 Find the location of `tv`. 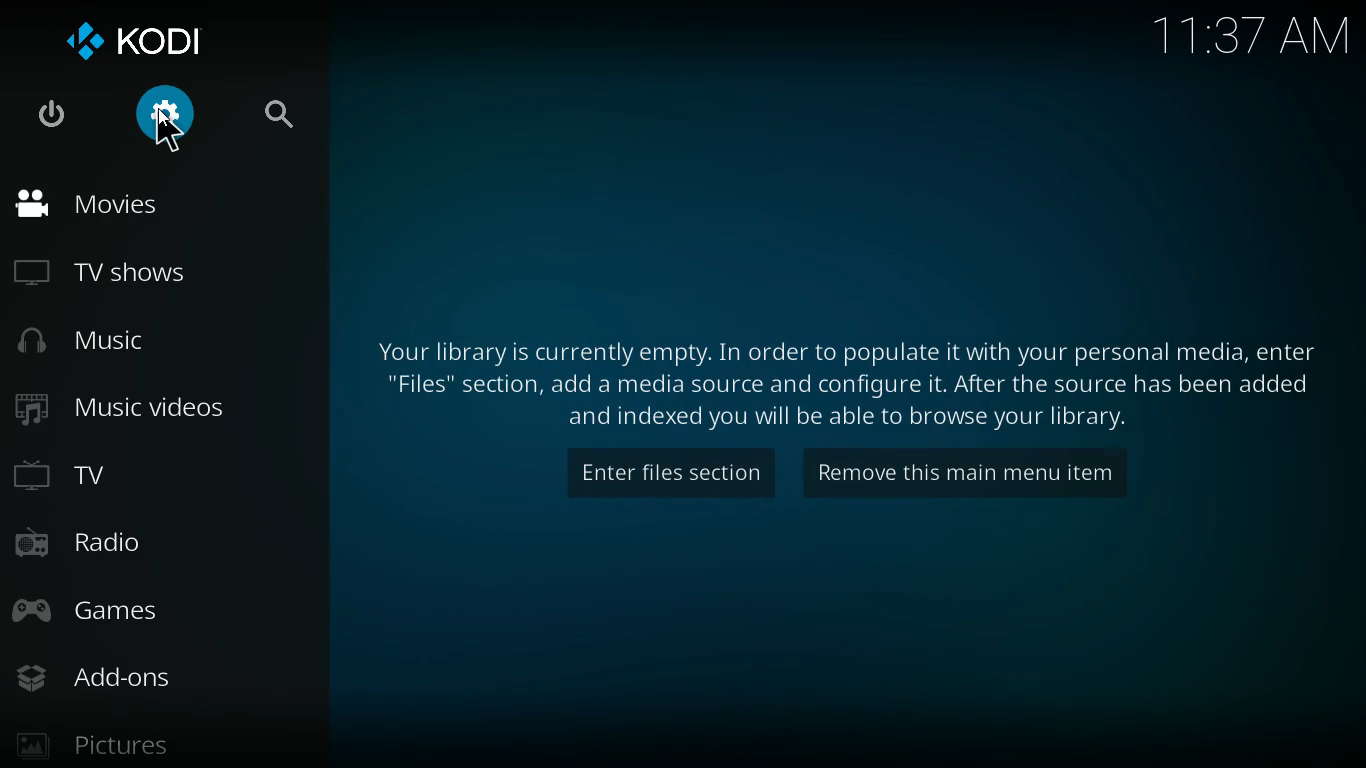

tv is located at coordinates (148, 481).